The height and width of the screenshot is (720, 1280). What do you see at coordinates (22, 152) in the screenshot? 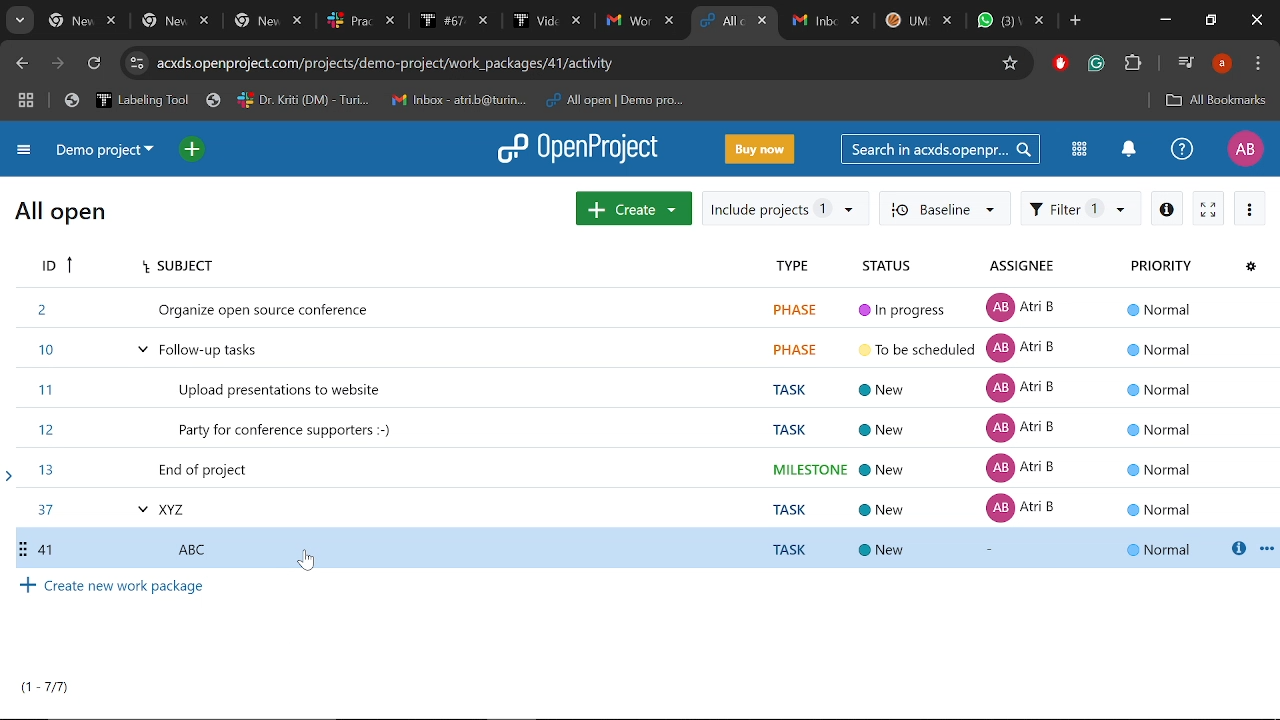
I see `Expand project menu` at bounding box center [22, 152].